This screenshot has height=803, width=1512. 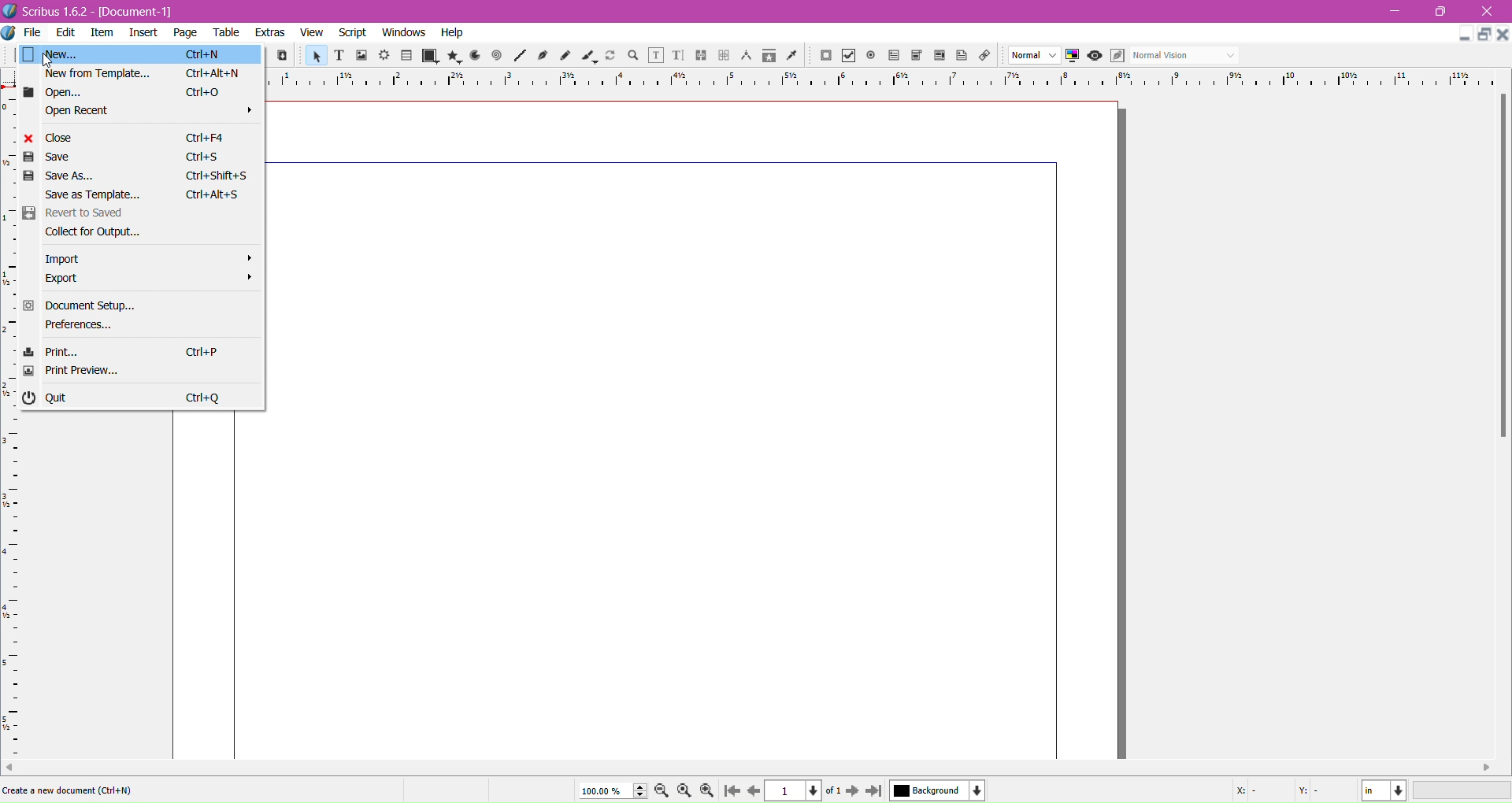 I want to click on next, so click(x=854, y=793).